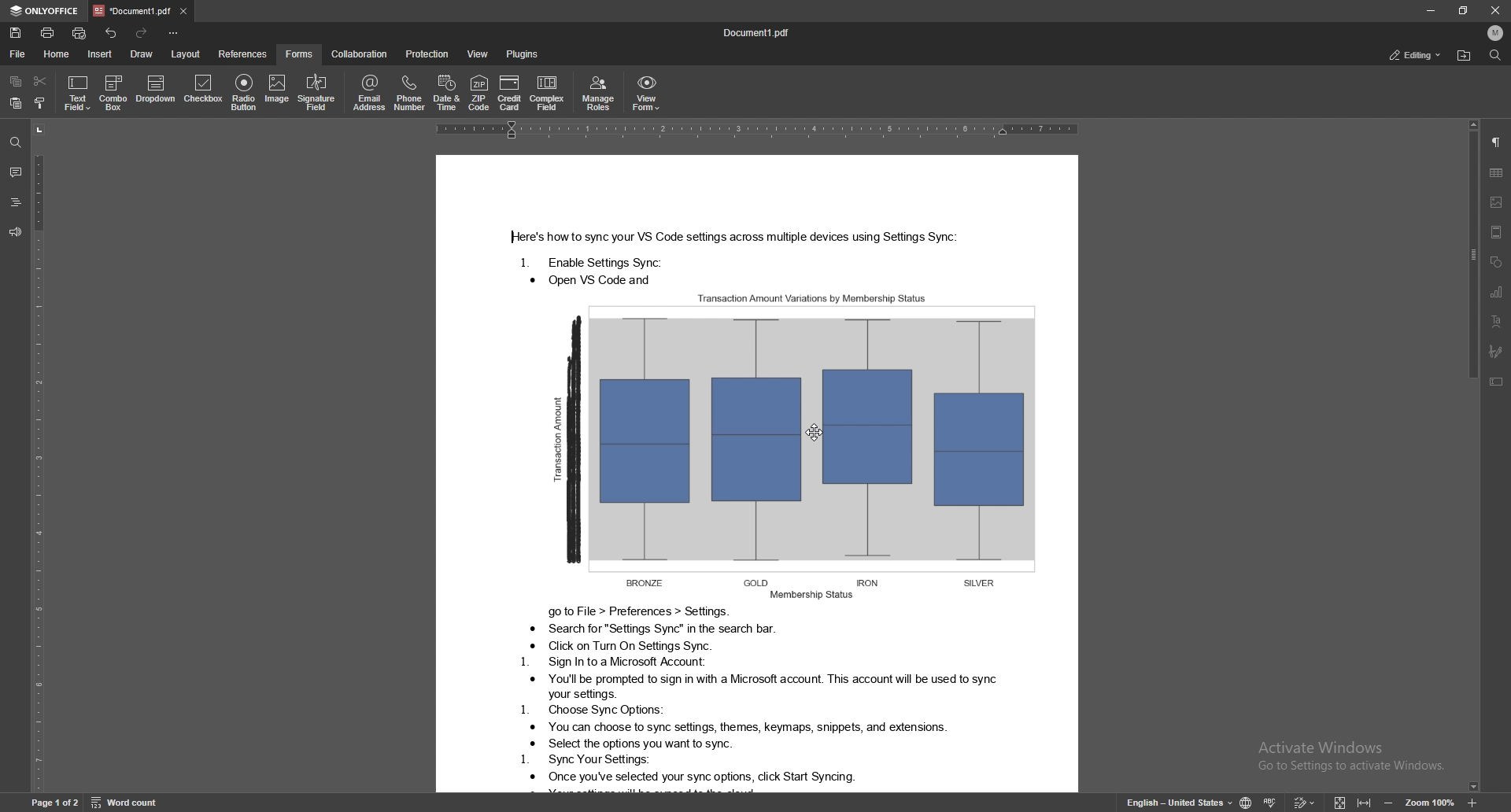 The image size is (1511, 812). I want to click on locate file, so click(1464, 56).